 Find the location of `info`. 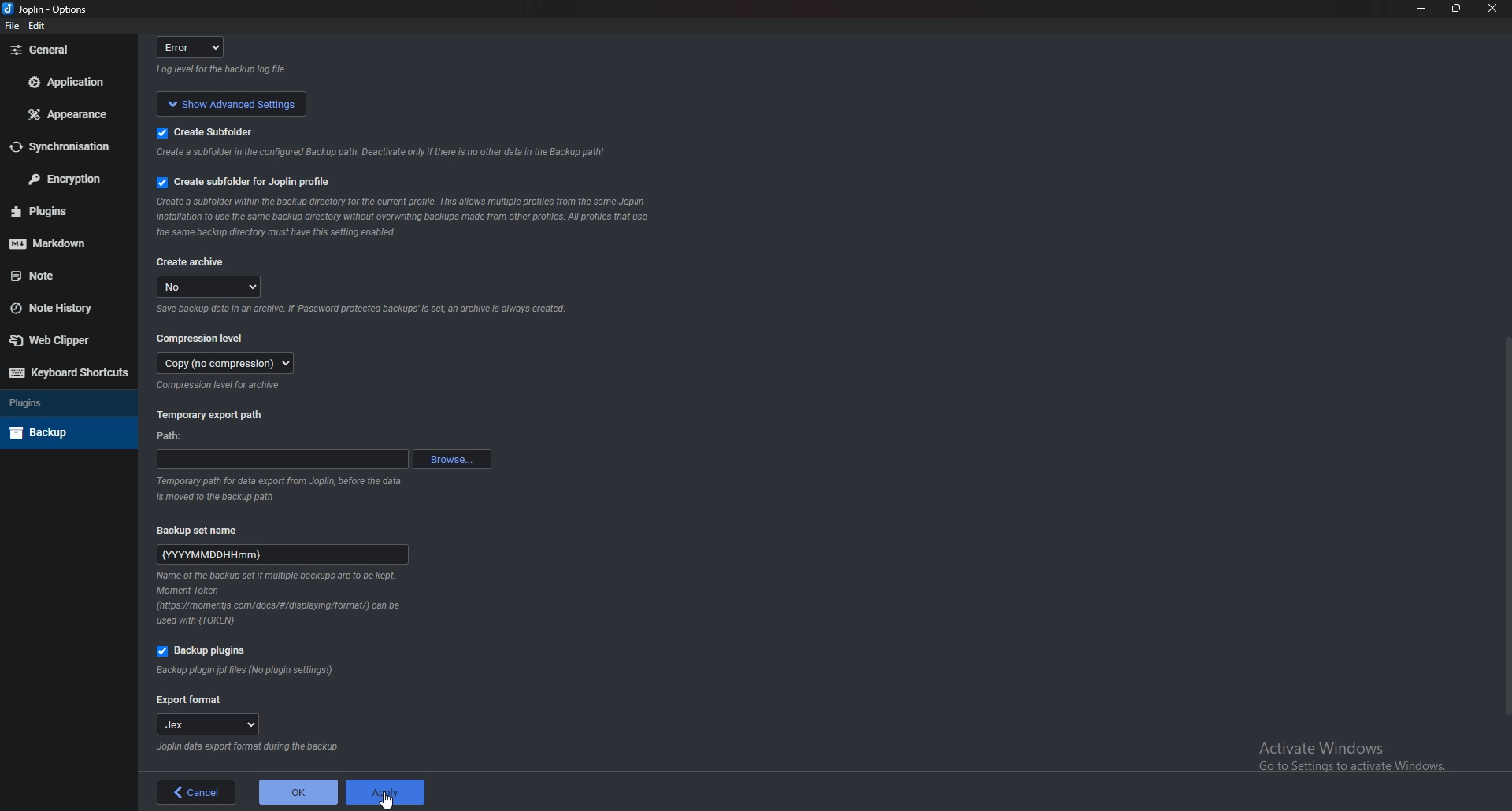

info is located at coordinates (376, 154).